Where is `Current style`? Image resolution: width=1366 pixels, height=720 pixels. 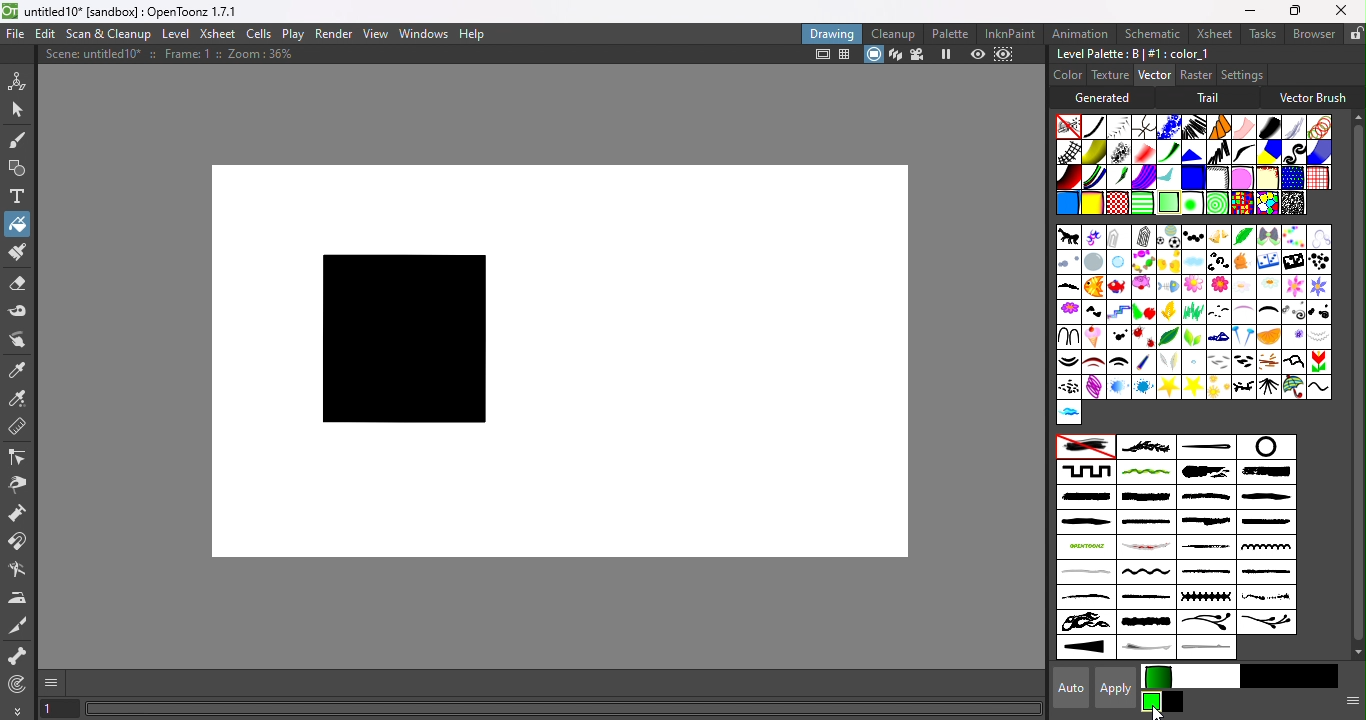
Current style is located at coordinates (1152, 701).